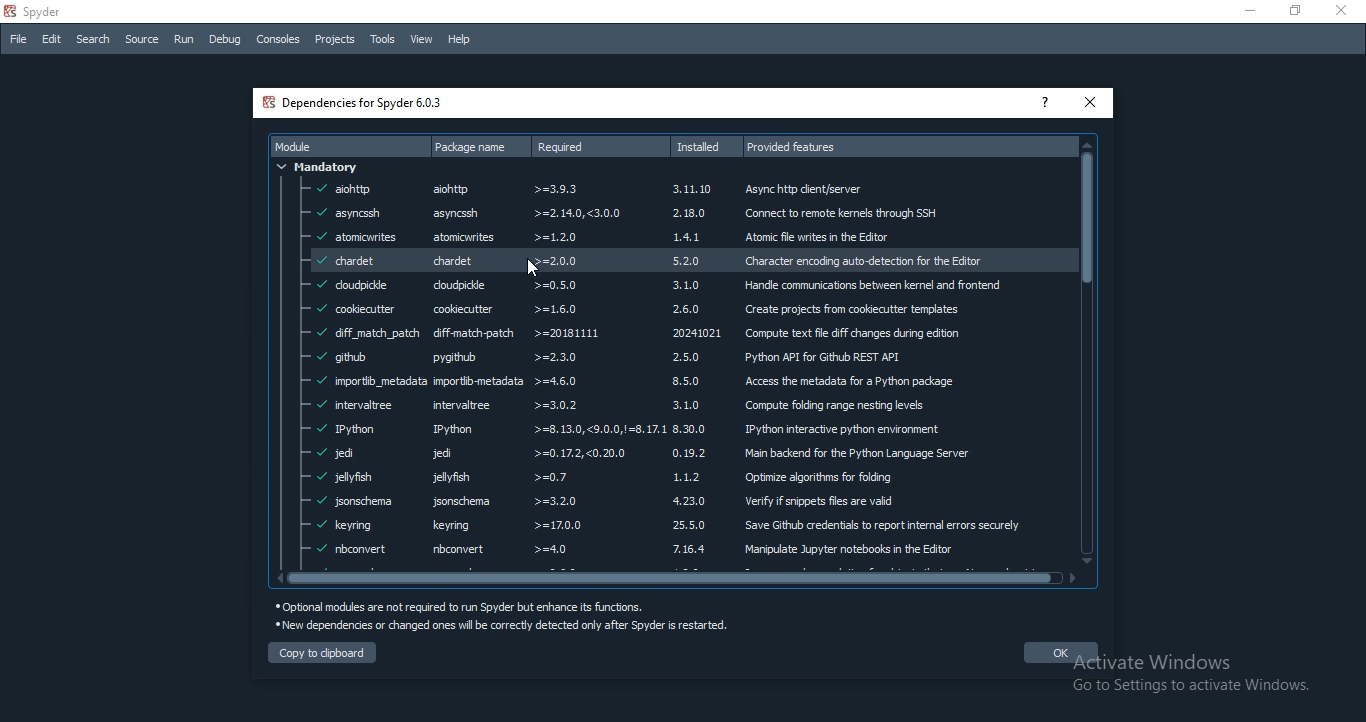 The width and height of the screenshot is (1366, 722). Describe the element at coordinates (360, 101) in the screenshot. I see `Dependencies for spyder 6.0.3` at that location.